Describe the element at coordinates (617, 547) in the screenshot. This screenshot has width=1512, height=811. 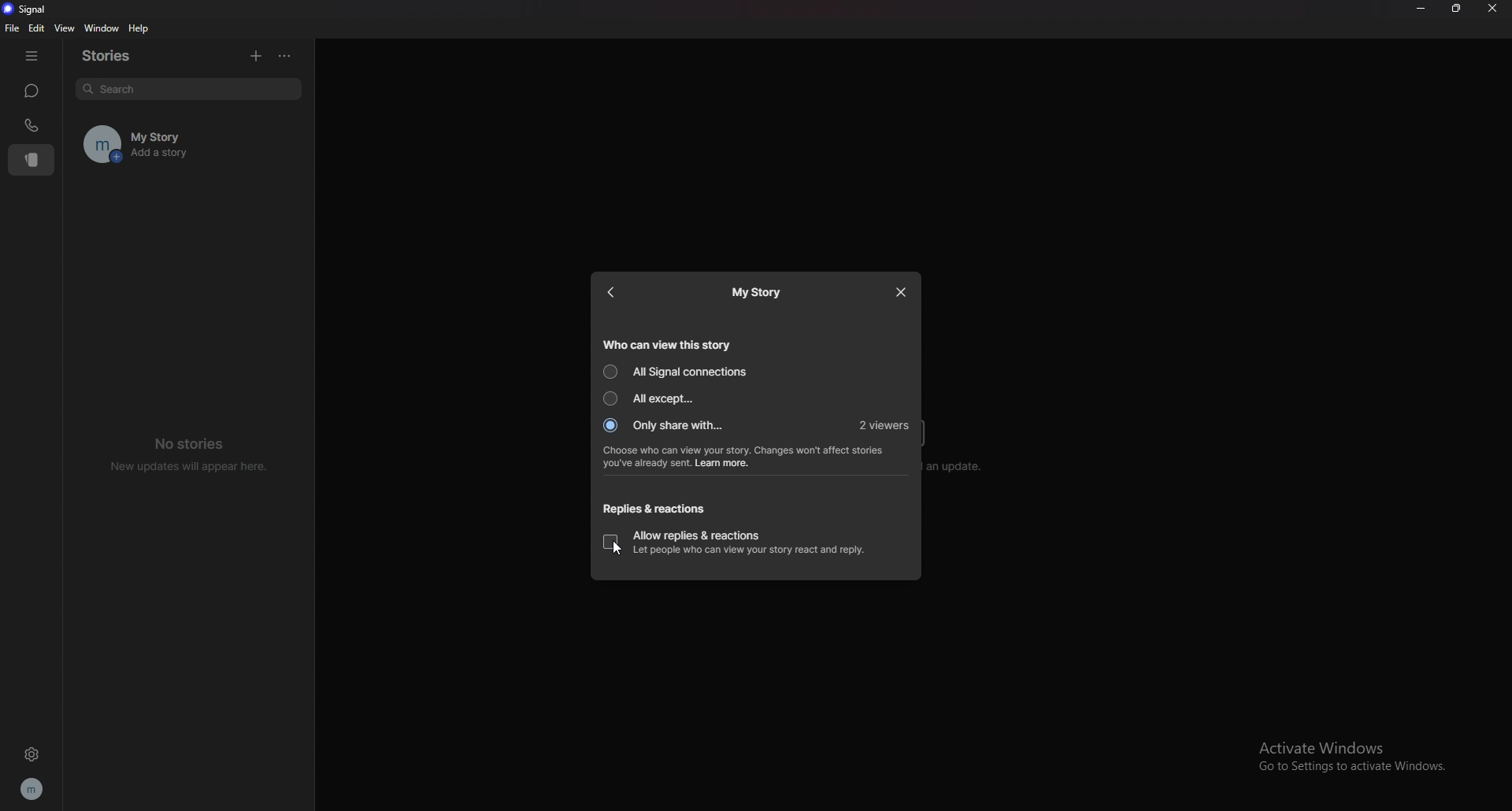
I see `cursor` at that location.